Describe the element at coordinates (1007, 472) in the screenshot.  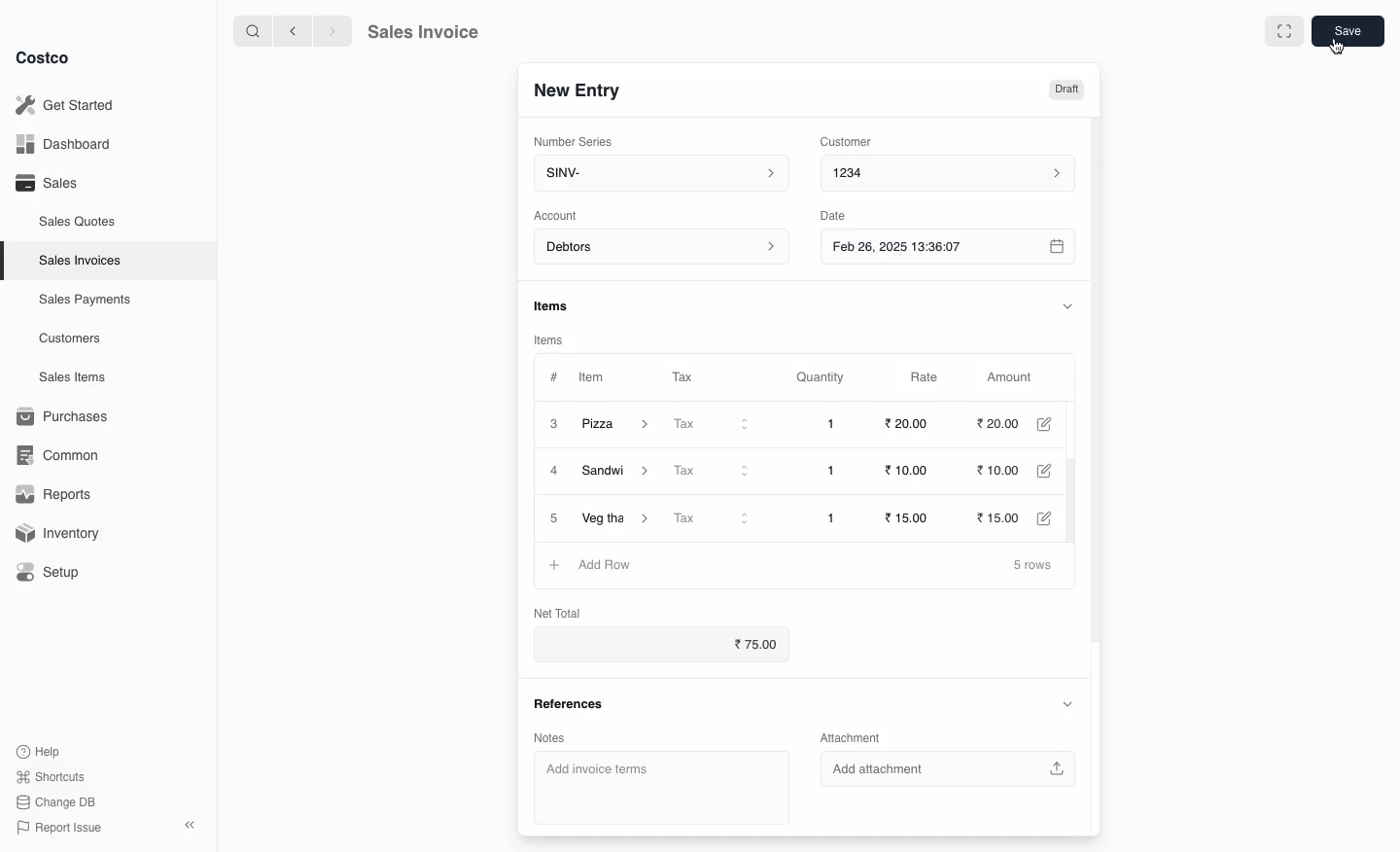
I see `10.00` at that location.